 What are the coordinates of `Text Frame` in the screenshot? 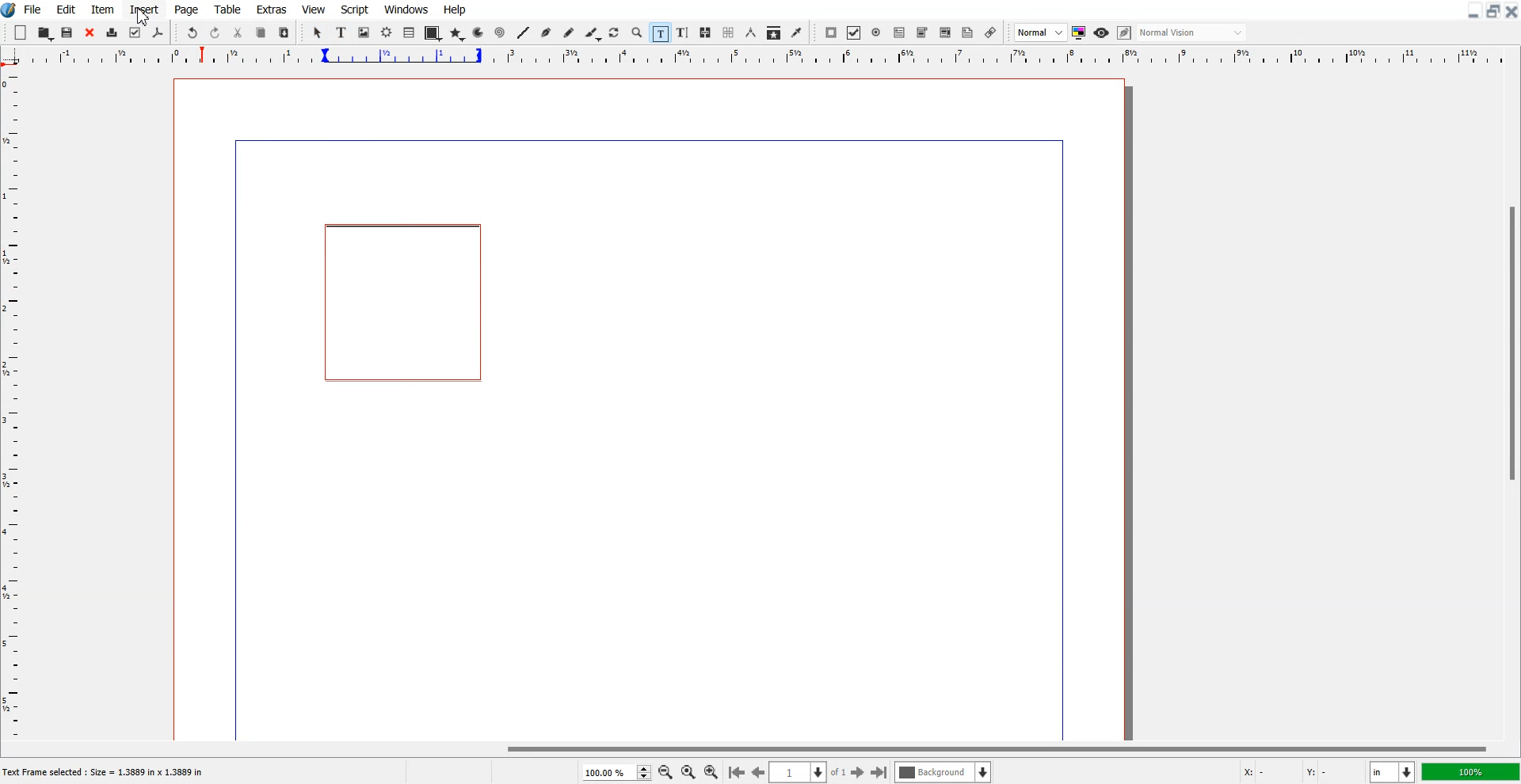 It's located at (342, 32).